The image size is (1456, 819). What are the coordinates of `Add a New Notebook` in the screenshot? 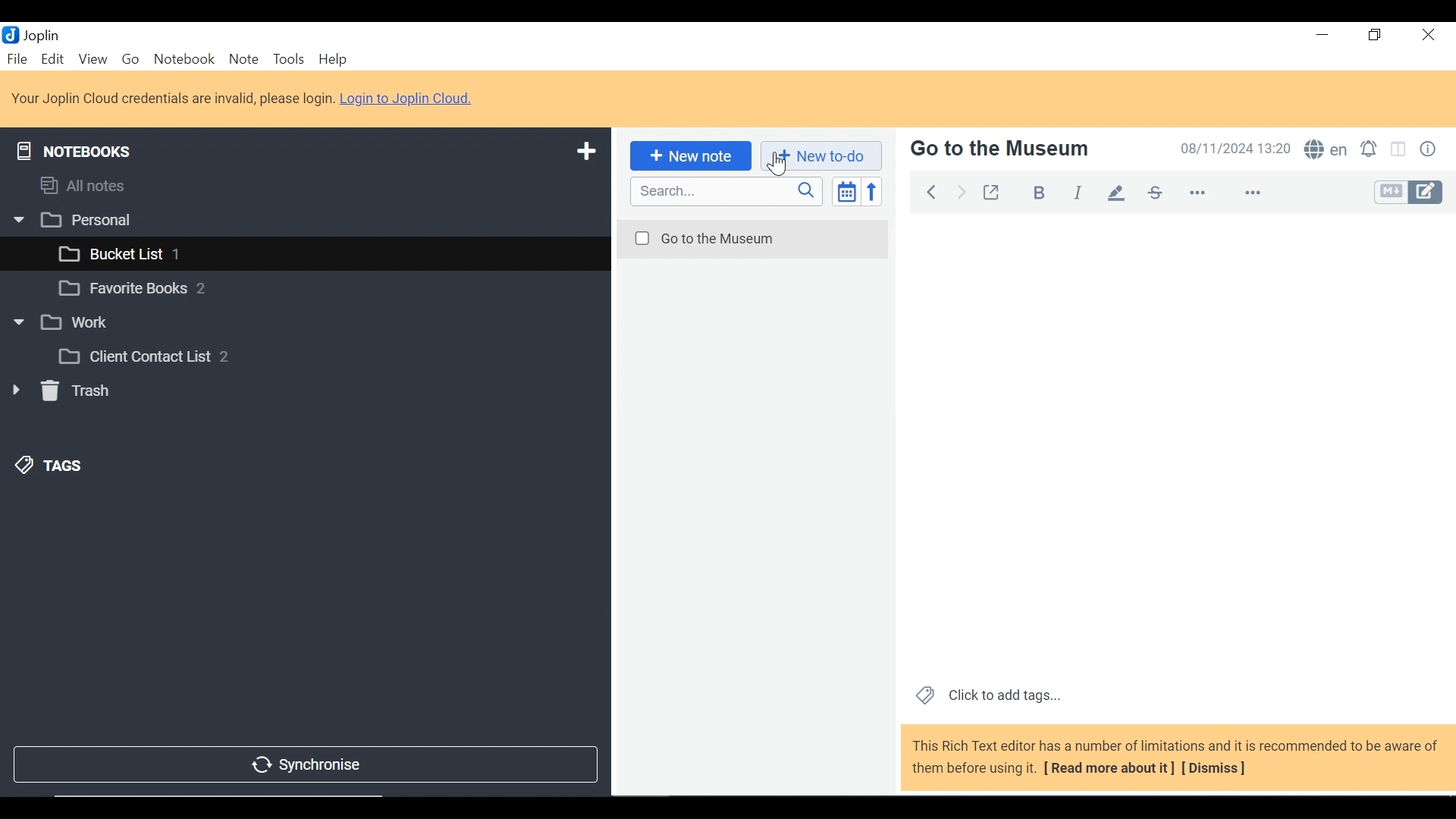 It's located at (588, 149).